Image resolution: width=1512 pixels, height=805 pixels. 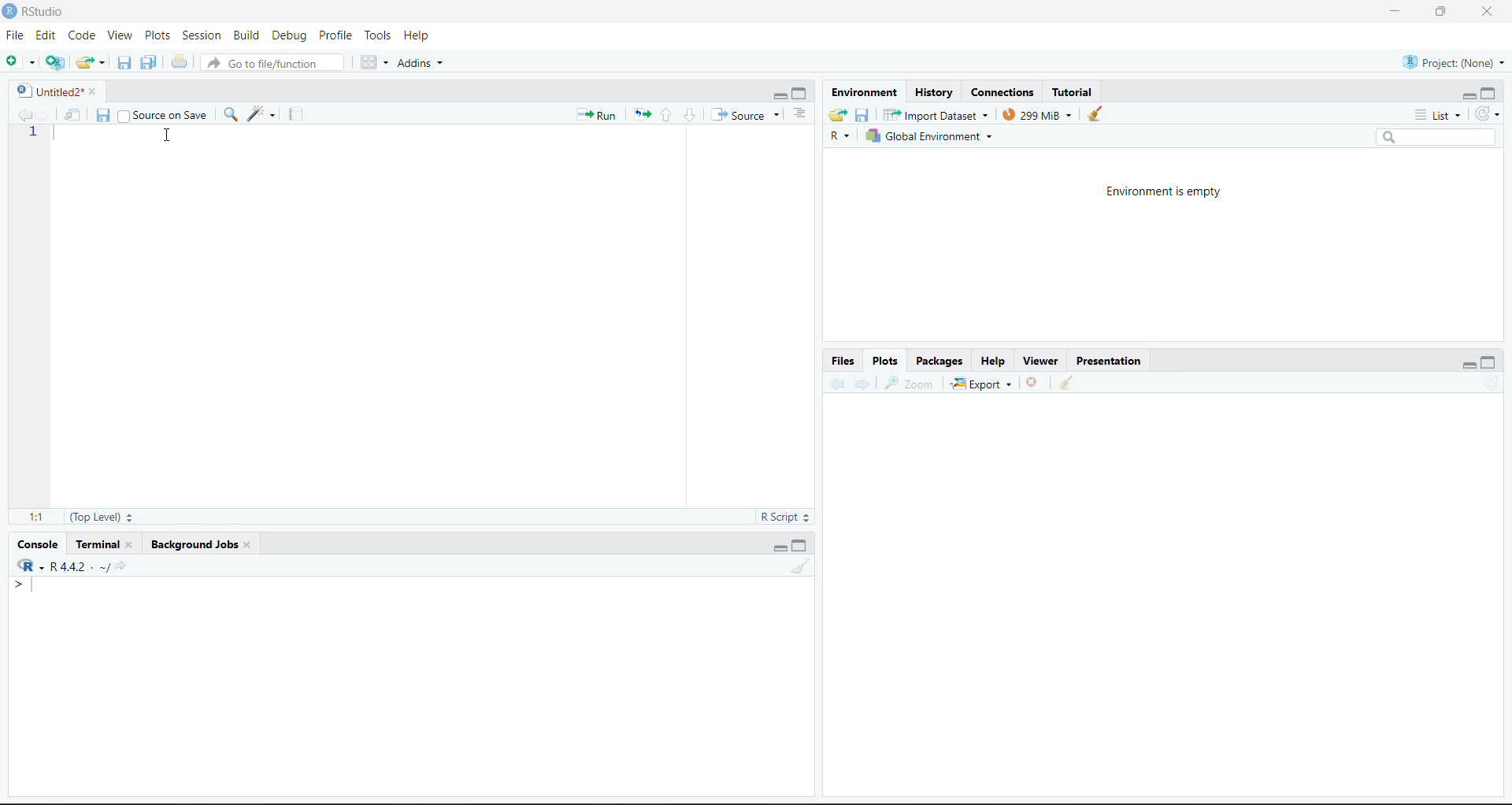 What do you see at coordinates (203, 35) in the screenshot?
I see `Session` at bounding box center [203, 35].